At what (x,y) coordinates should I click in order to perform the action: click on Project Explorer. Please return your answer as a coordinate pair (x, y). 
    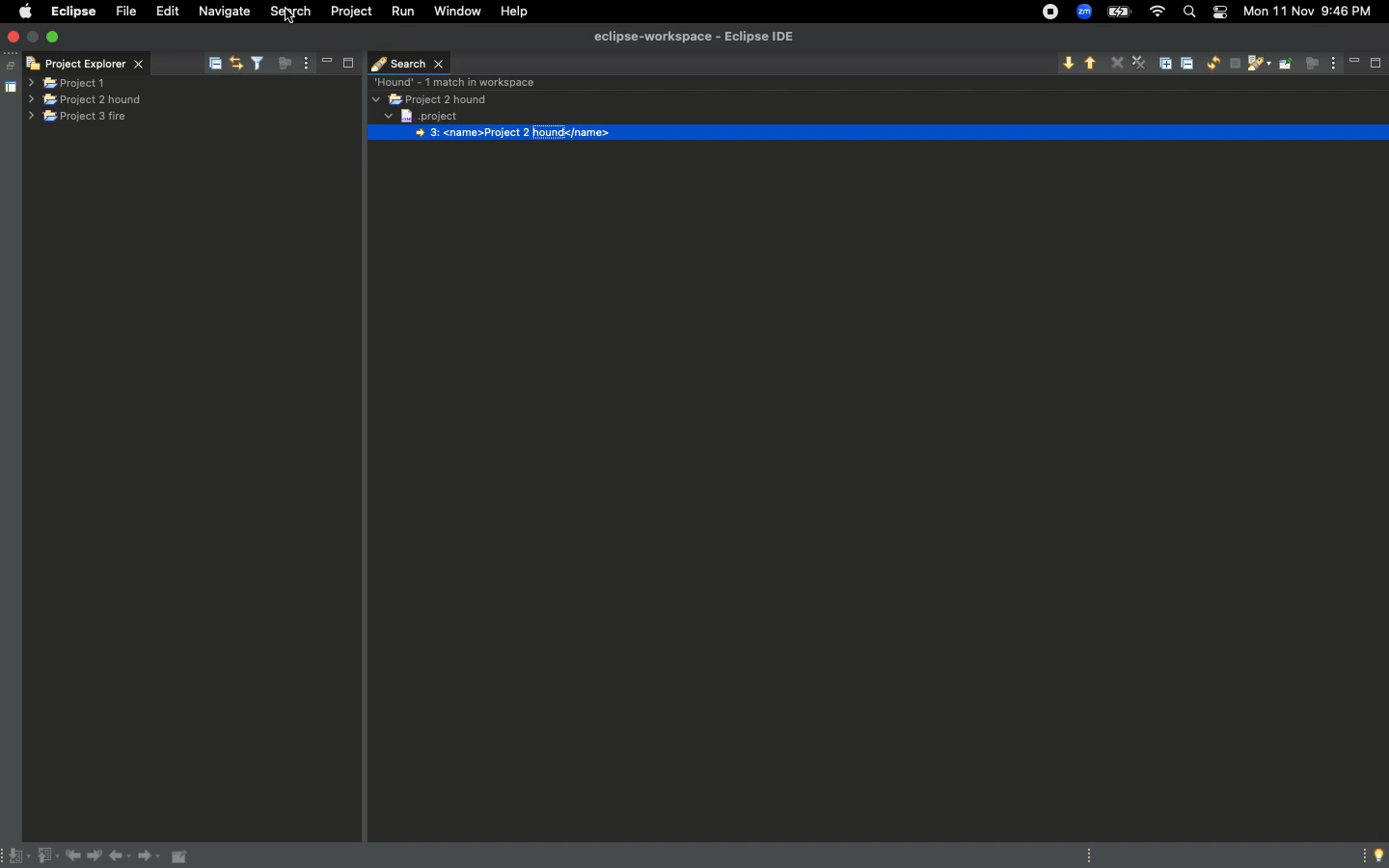
    Looking at the image, I should click on (88, 62).